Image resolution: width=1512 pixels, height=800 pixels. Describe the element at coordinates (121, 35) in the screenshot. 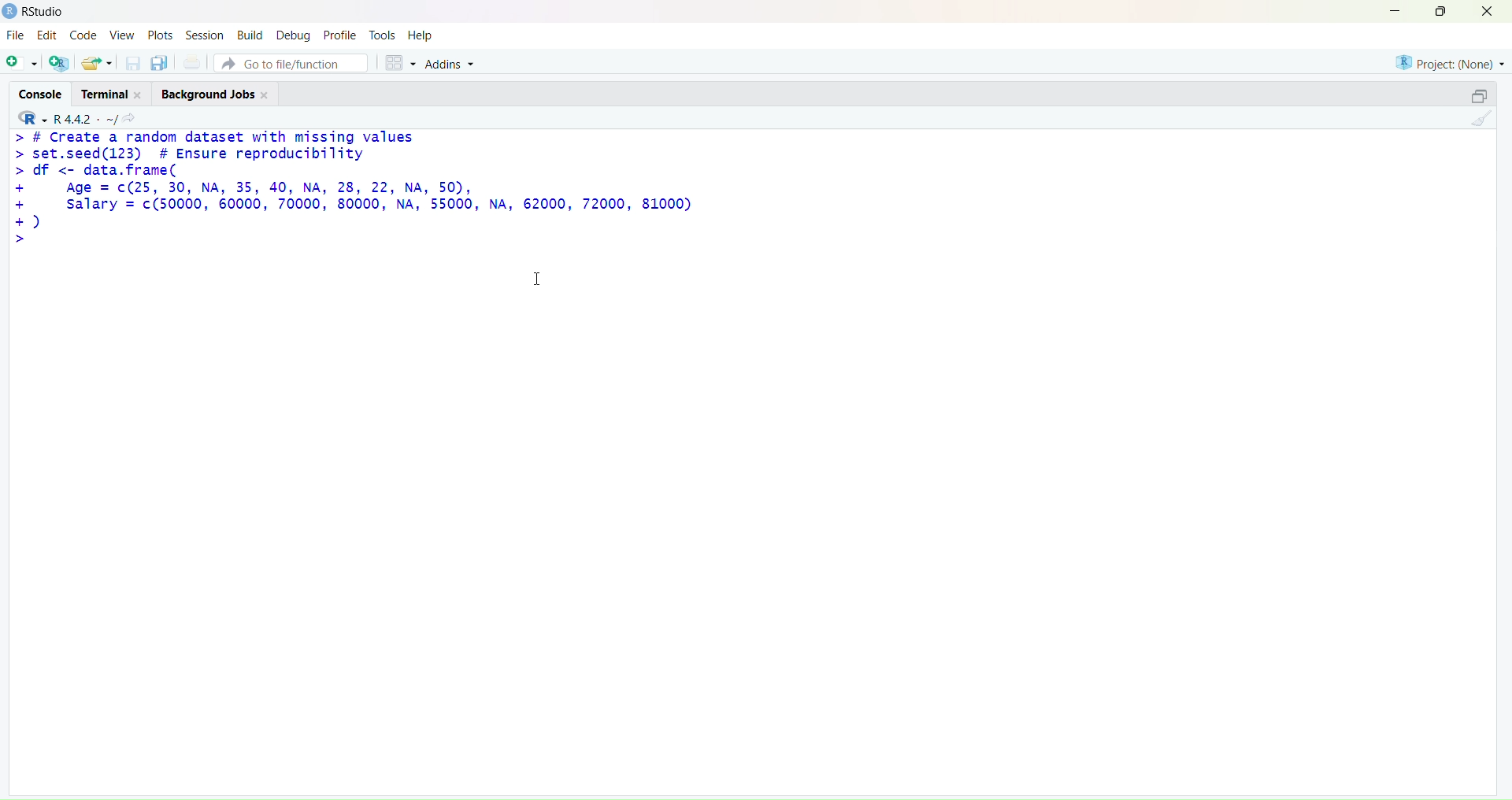

I see `view` at that location.